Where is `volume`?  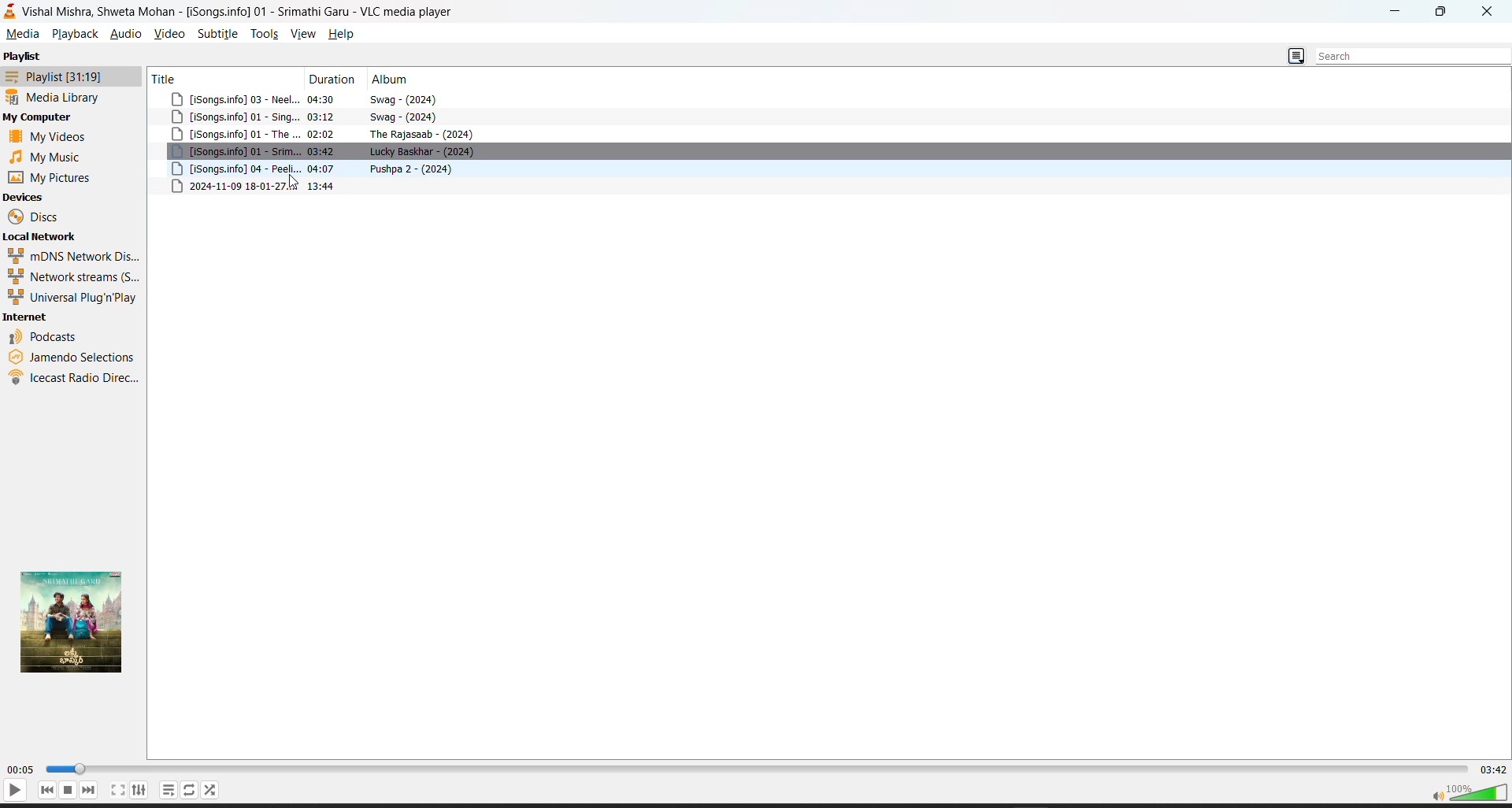 volume is located at coordinates (1471, 794).